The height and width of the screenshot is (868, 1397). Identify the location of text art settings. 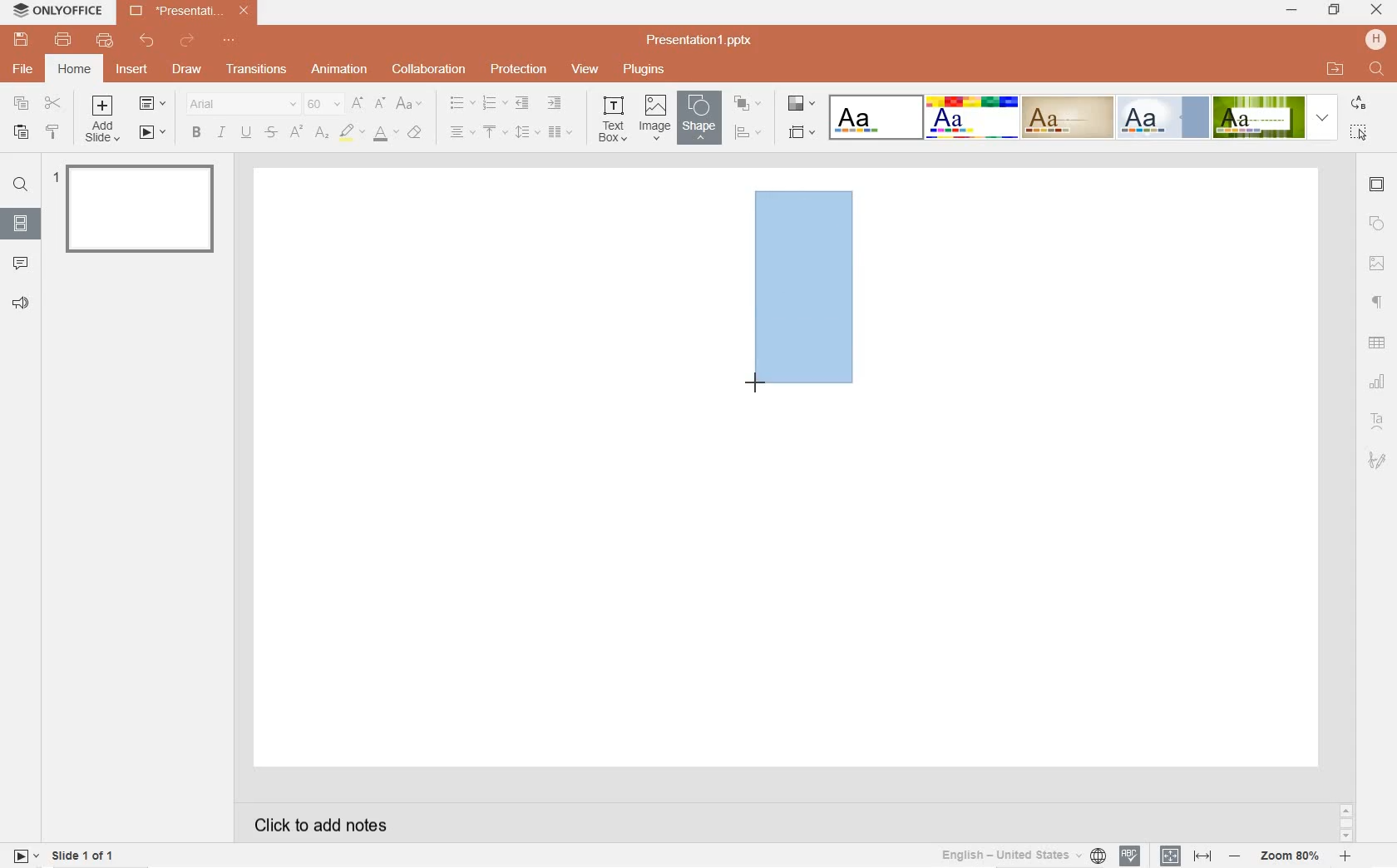
(1375, 419).